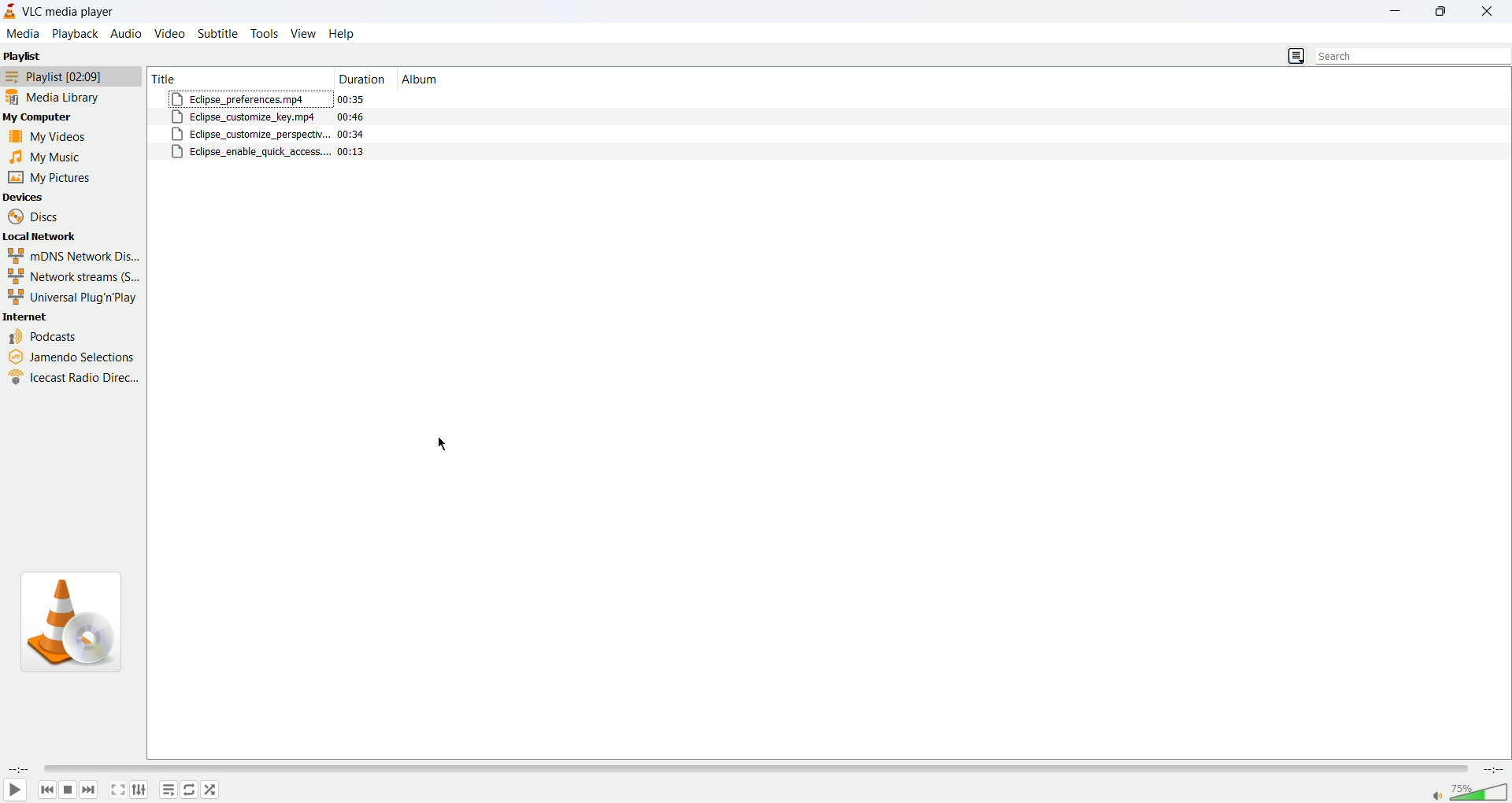 The width and height of the screenshot is (1512, 803). Describe the element at coordinates (60, 98) in the screenshot. I see `media library` at that location.